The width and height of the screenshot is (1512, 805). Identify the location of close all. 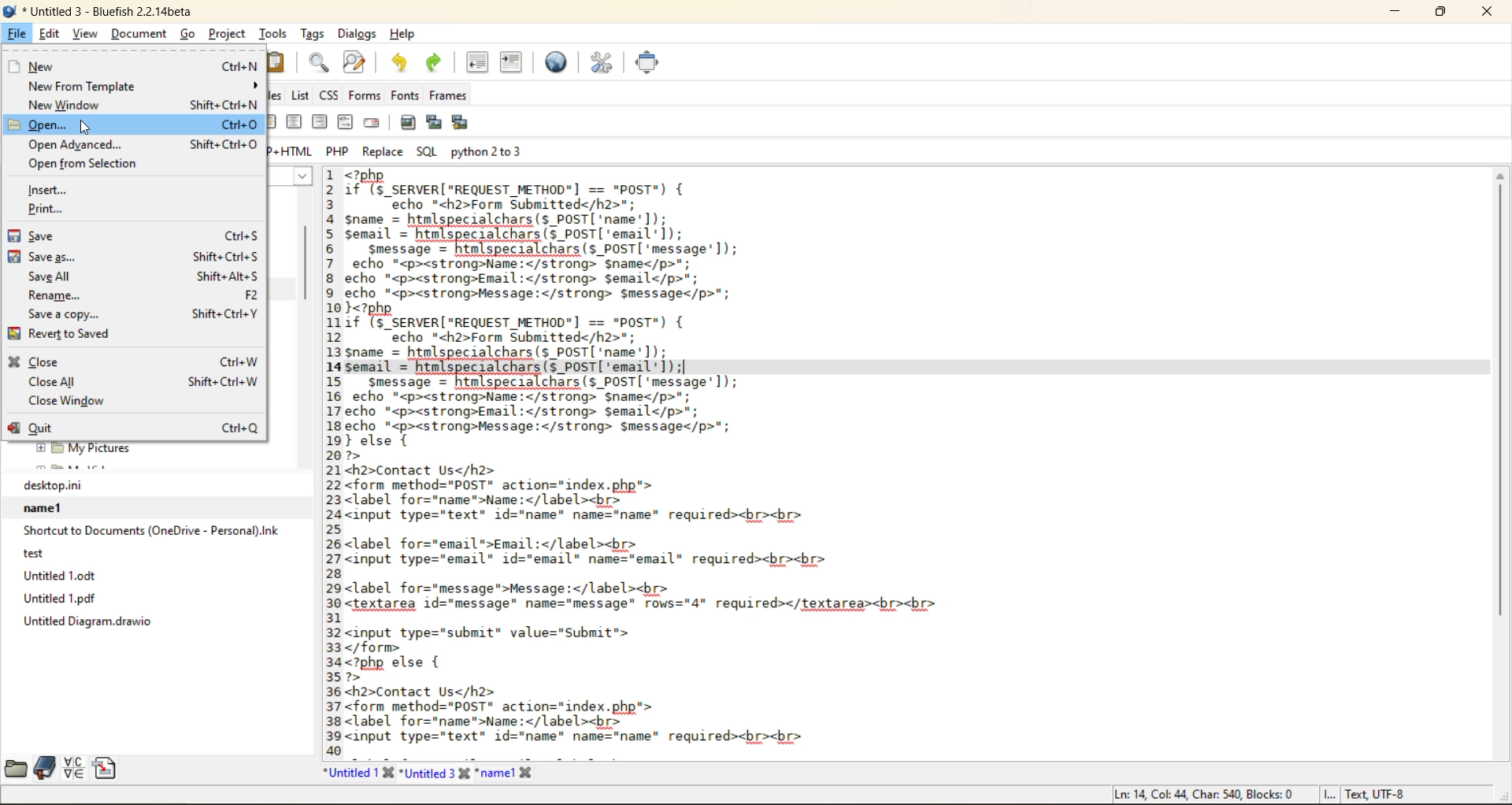
(136, 381).